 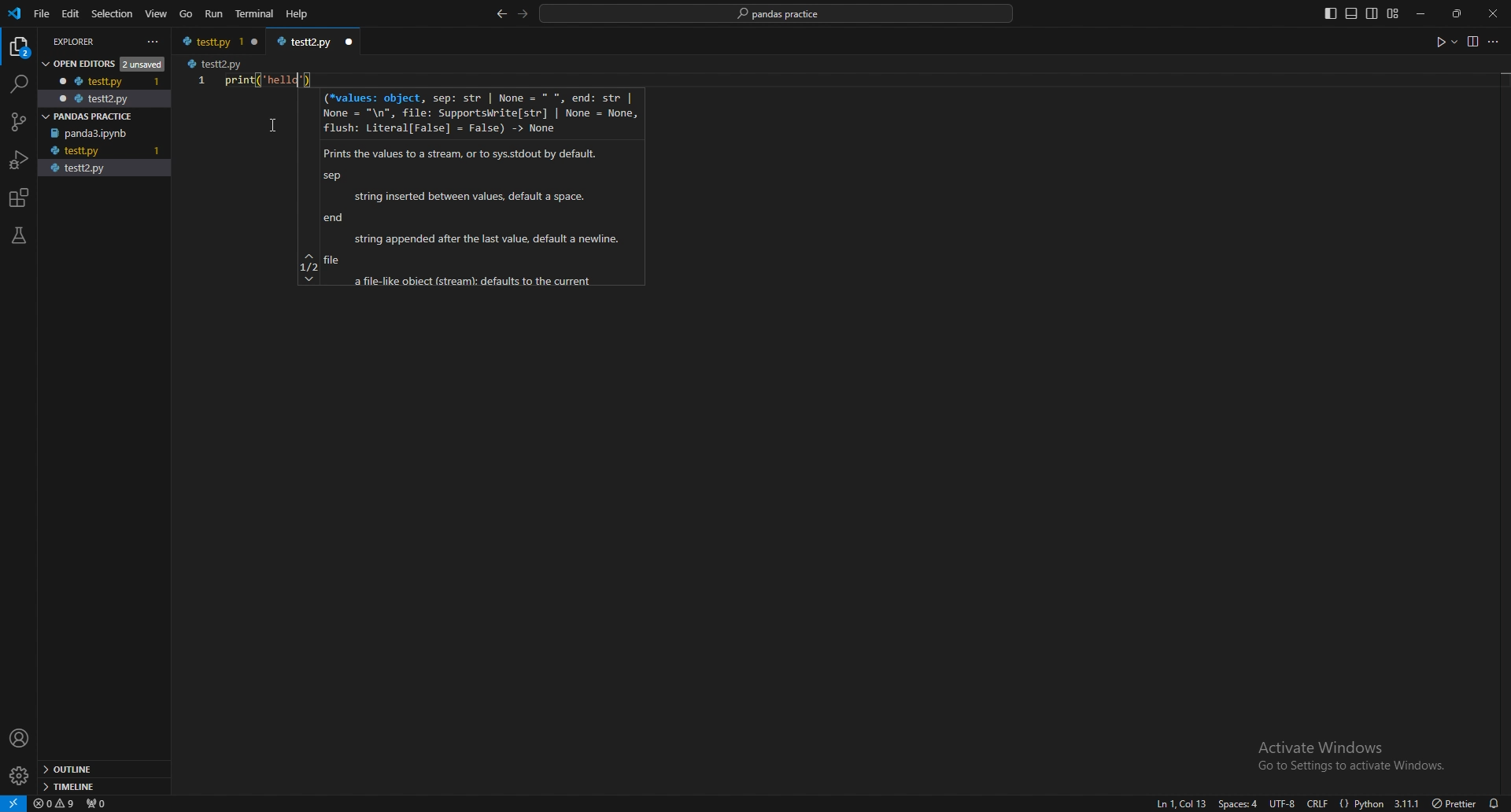 I want to click on cursor, so click(x=268, y=125).